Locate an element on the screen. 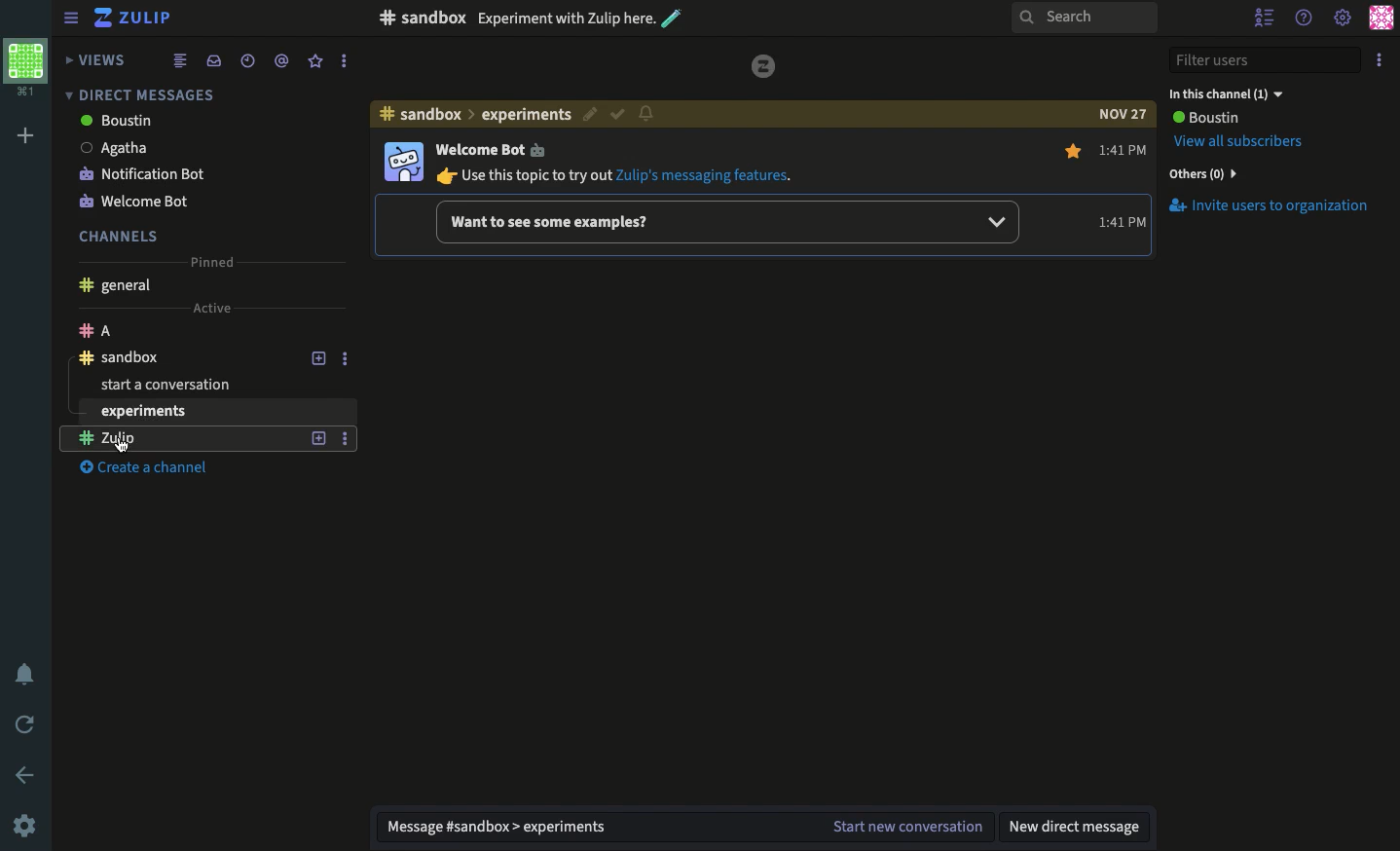 This screenshot has width=1400, height=851. Settings  is located at coordinates (1342, 19).